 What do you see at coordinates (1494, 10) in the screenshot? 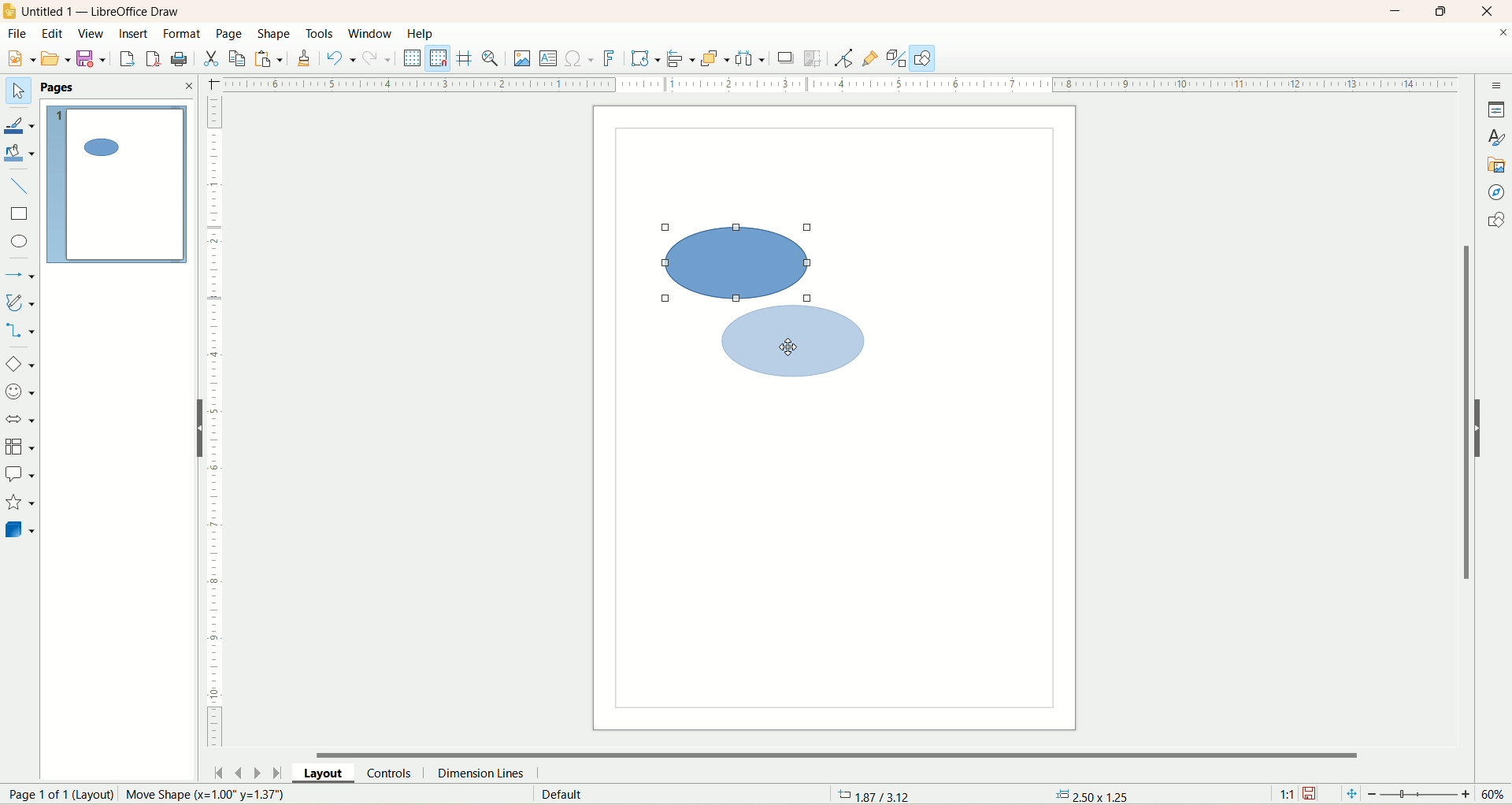
I see `close` at bounding box center [1494, 10].